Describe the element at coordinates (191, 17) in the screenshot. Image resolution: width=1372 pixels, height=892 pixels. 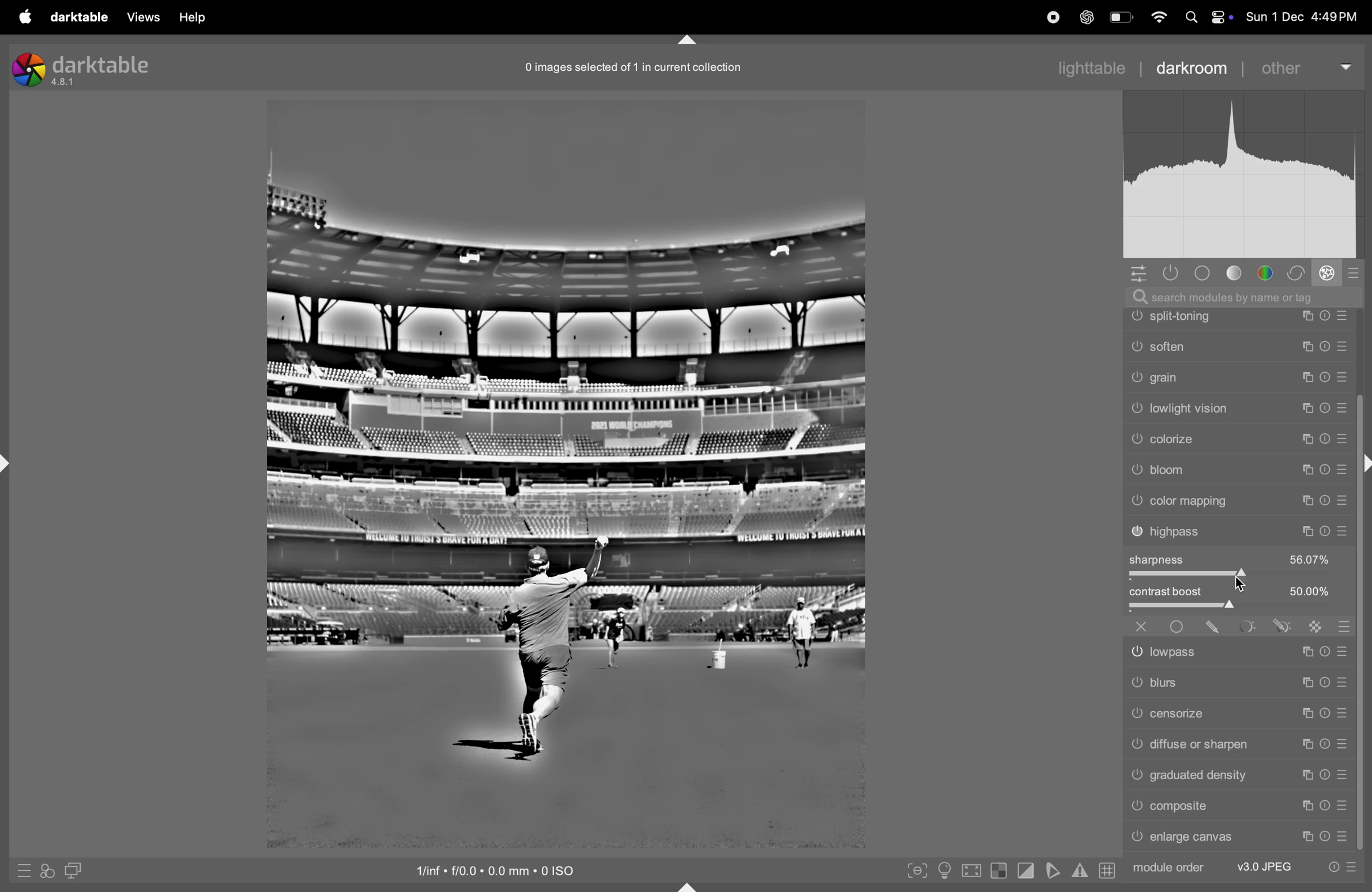
I see `help` at that location.